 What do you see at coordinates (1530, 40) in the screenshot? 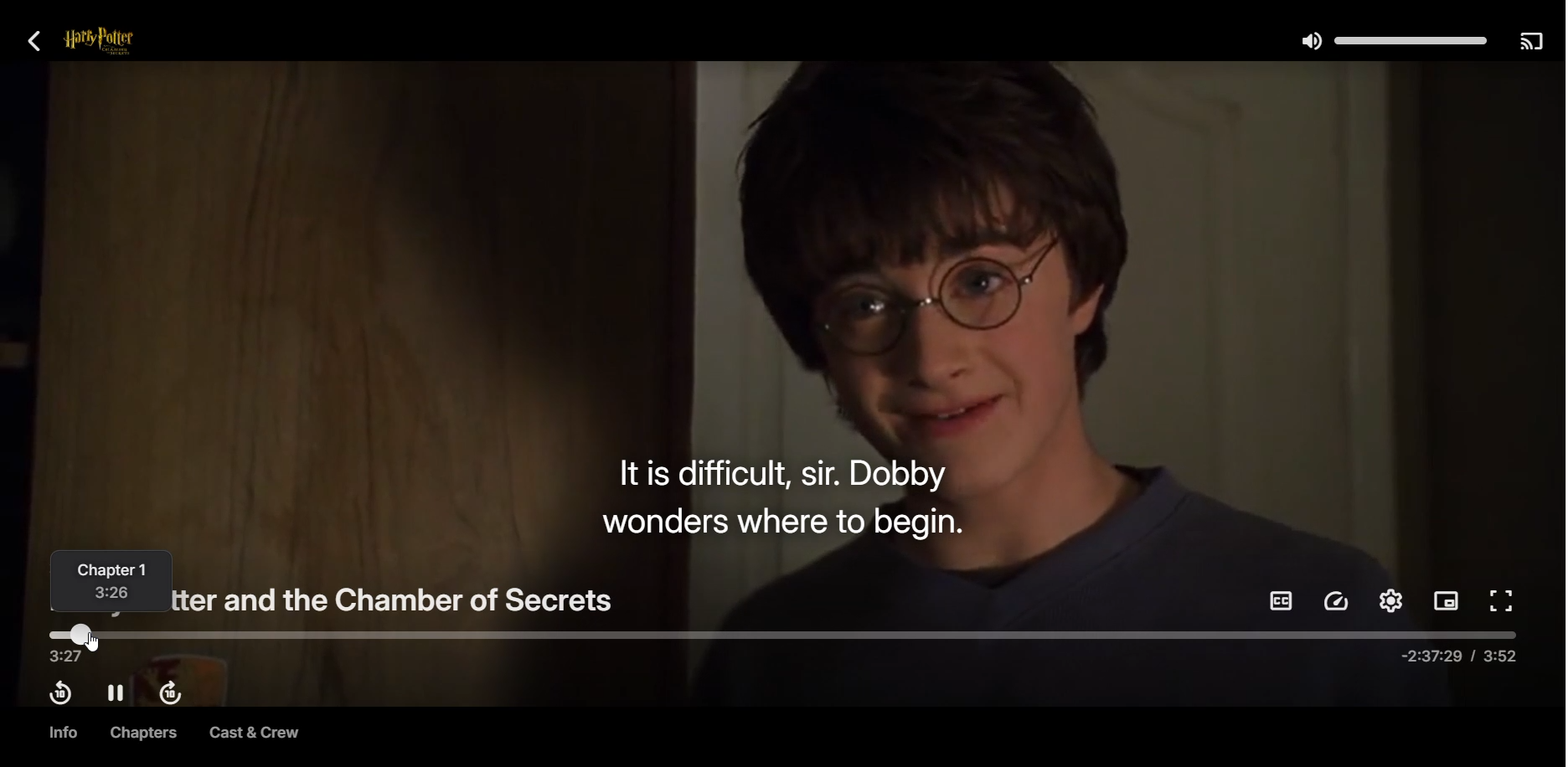
I see `Play on another device` at bounding box center [1530, 40].